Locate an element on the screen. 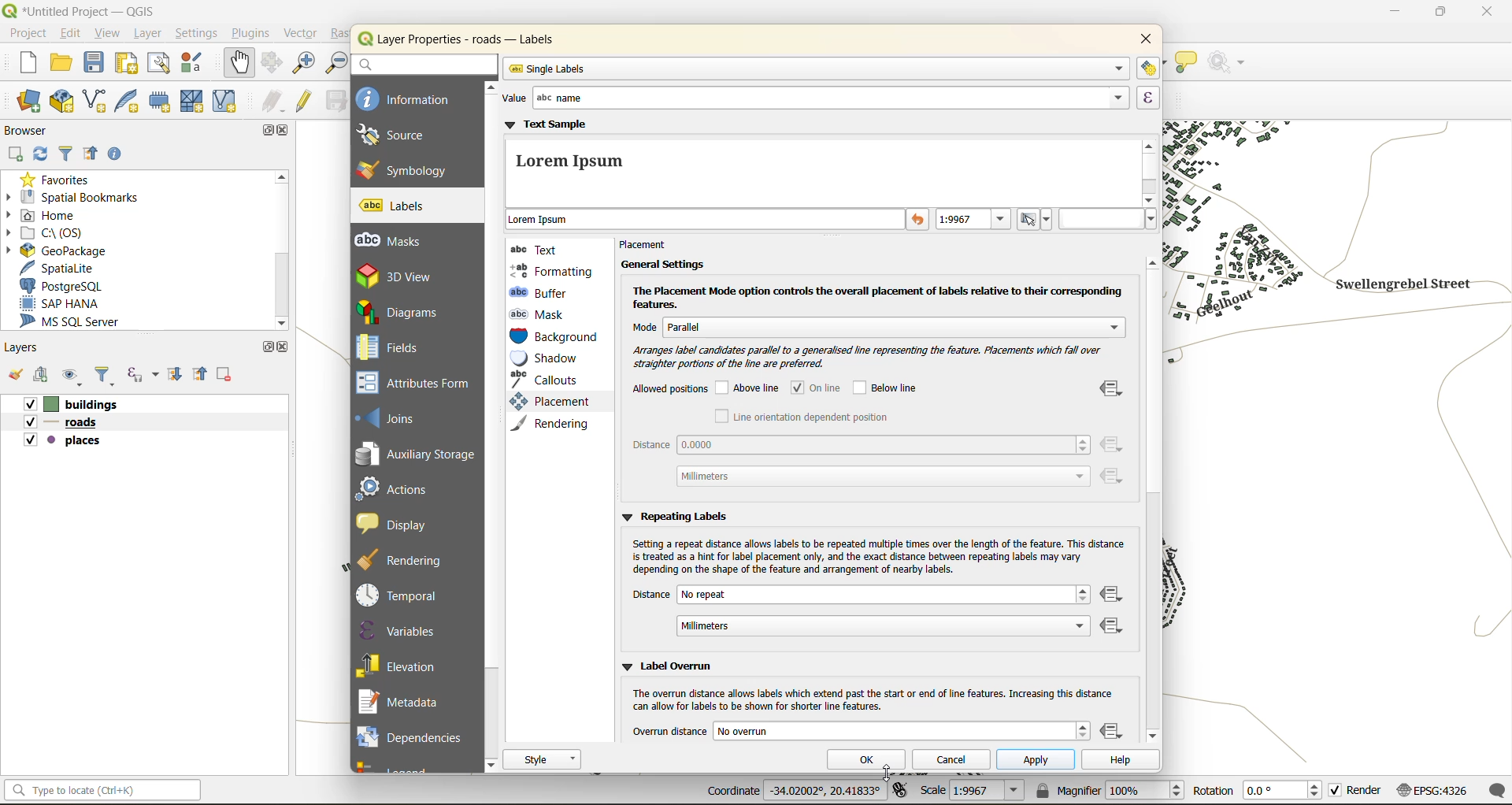  value is located at coordinates (812, 98).